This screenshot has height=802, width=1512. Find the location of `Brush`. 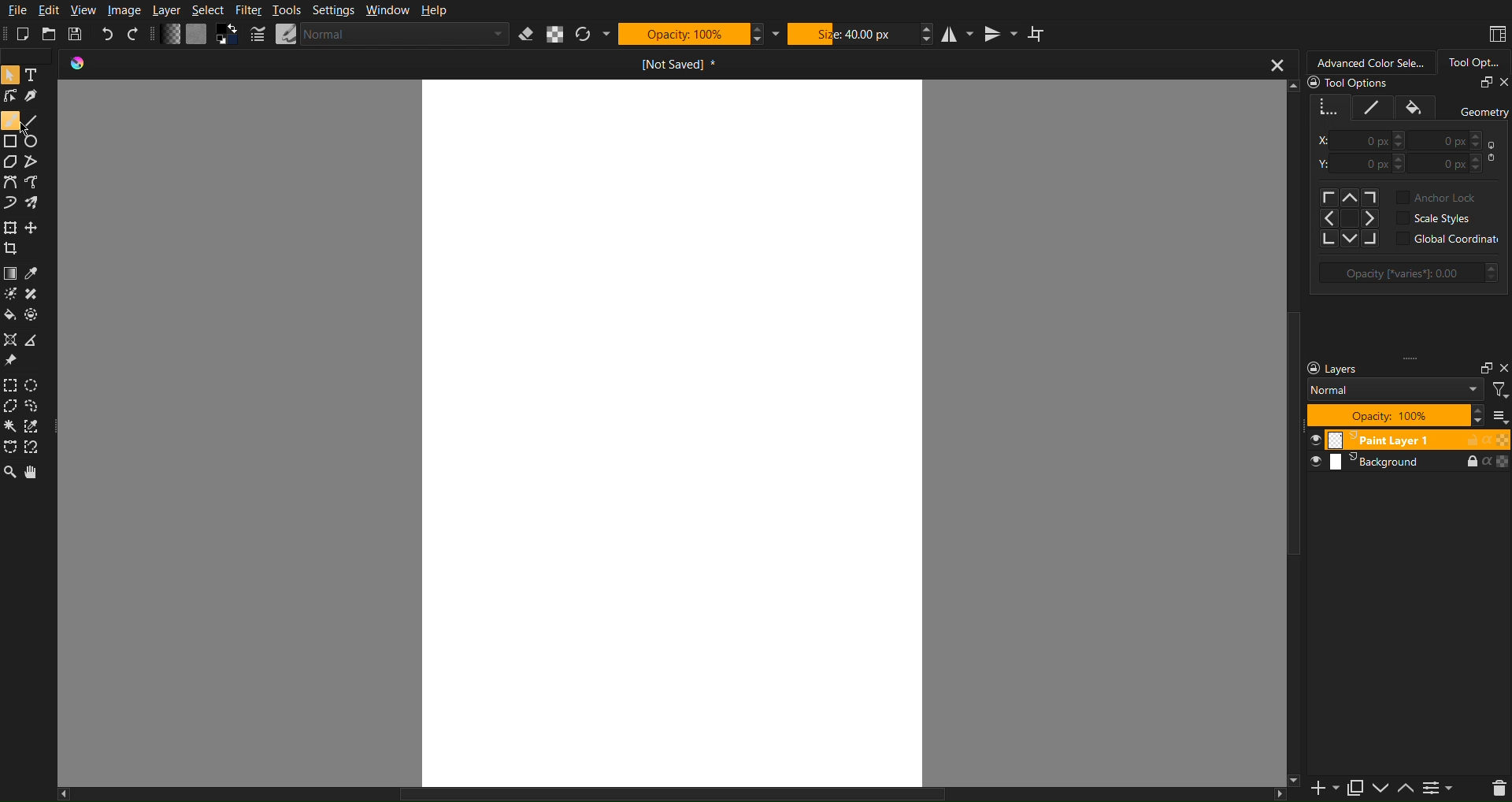

Brush is located at coordinates (10, 120).